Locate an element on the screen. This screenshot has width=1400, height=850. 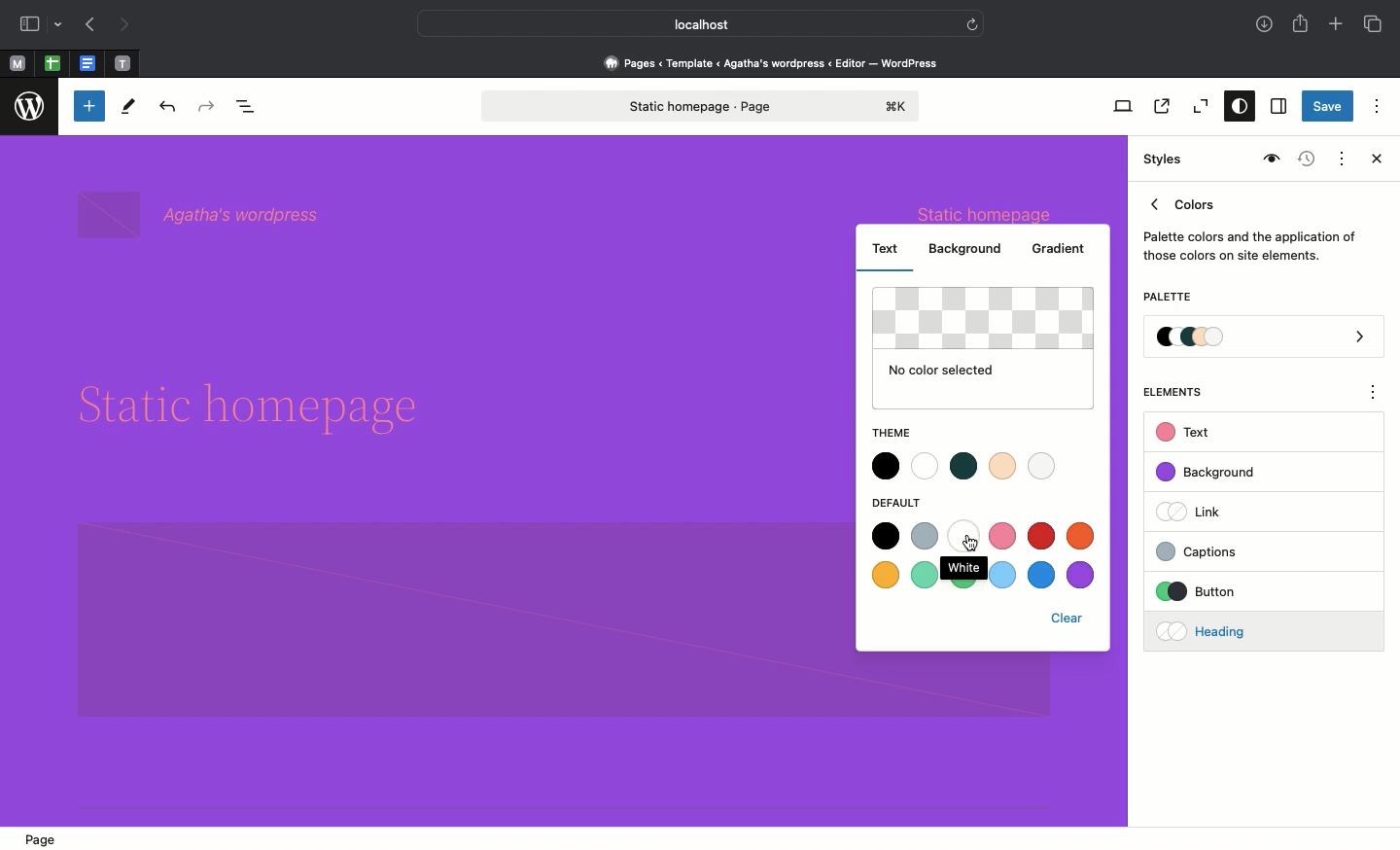
Styles is located at coordinates (1235, 108).